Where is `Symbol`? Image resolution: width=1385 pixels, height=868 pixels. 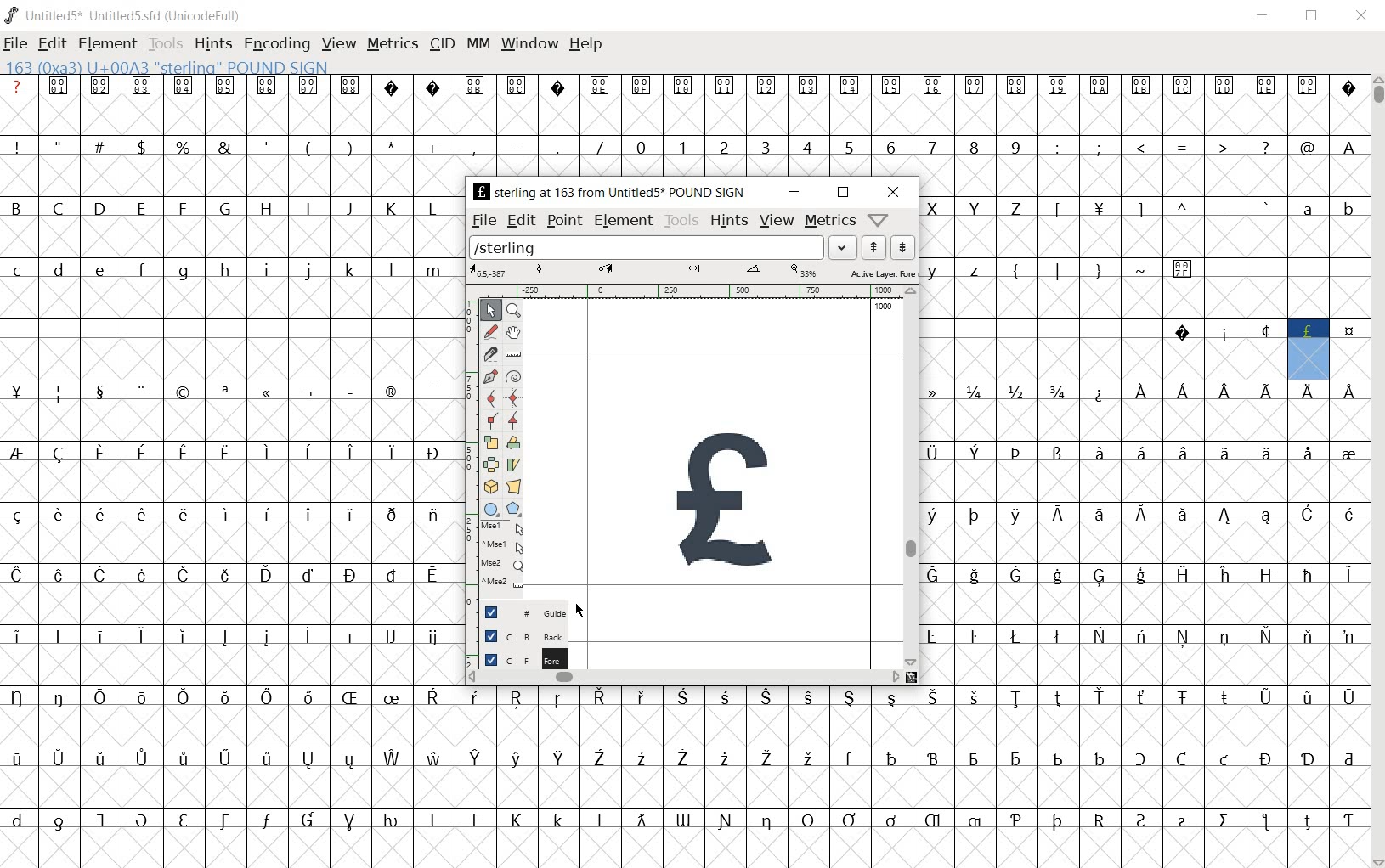
Symbol is located at coordinates (1349, 576).